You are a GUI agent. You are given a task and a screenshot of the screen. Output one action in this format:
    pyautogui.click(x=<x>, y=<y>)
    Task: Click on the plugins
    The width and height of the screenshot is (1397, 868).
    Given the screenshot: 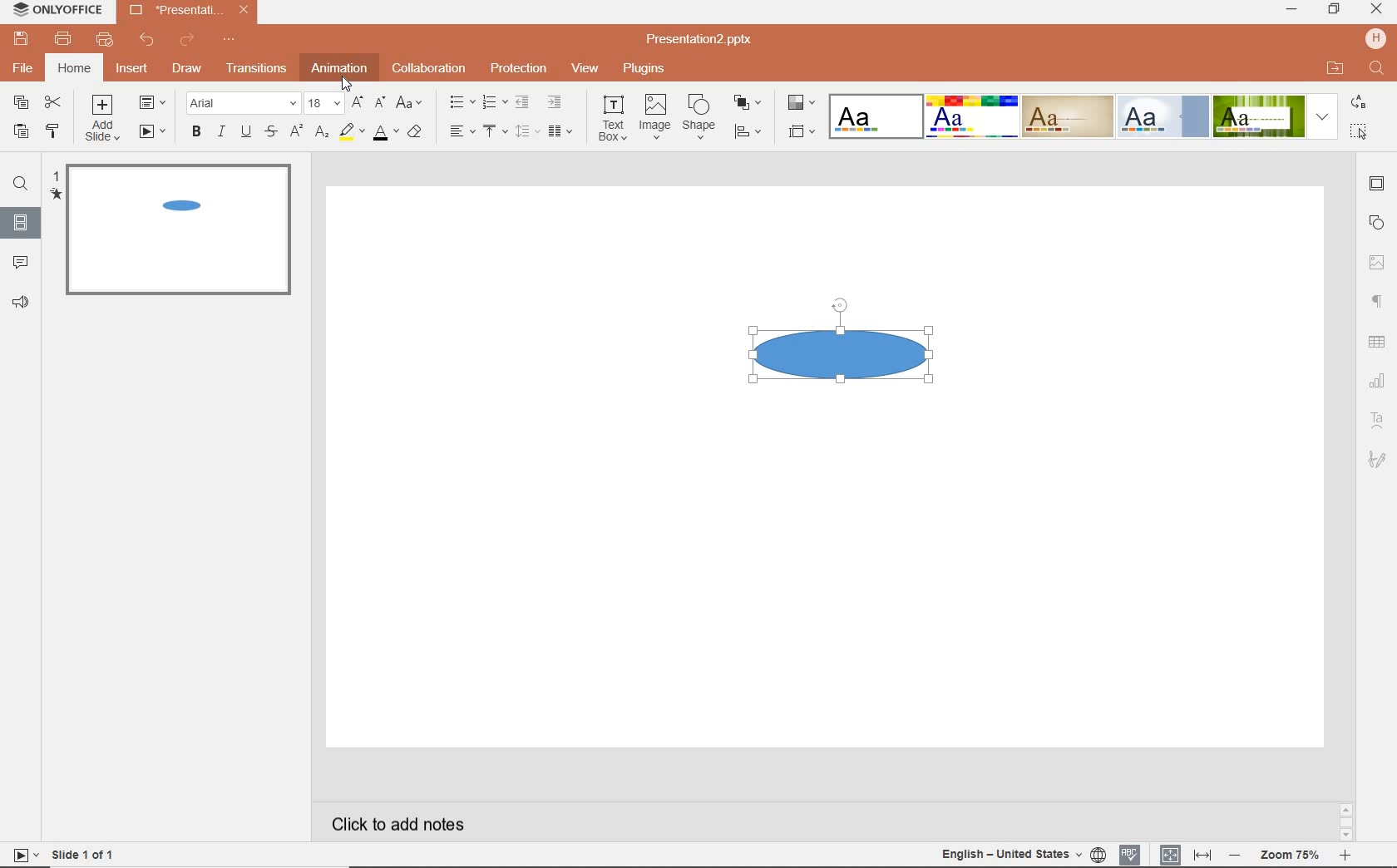 What is the action you would take?
    pyautogui.click(x=644, y=70)
    